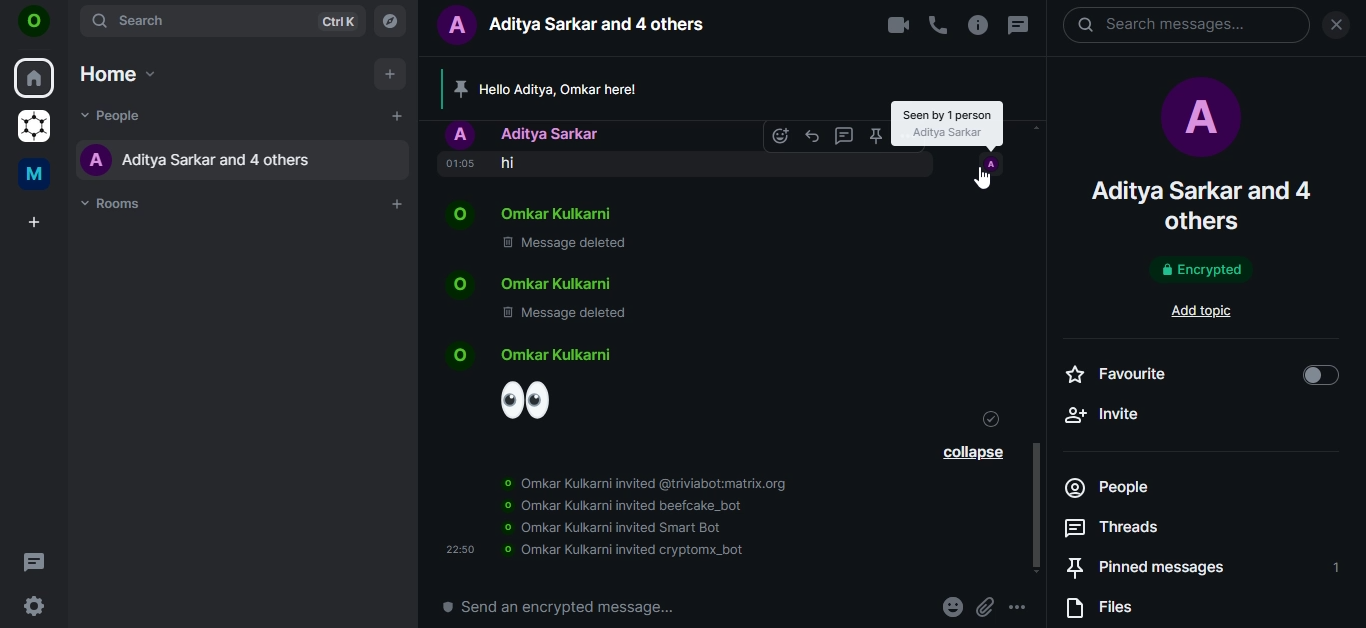 This screenshot has height=628, width=1366. Describe the element at coordinates (1134, 488) in the screenshot. I see `people` at that location.